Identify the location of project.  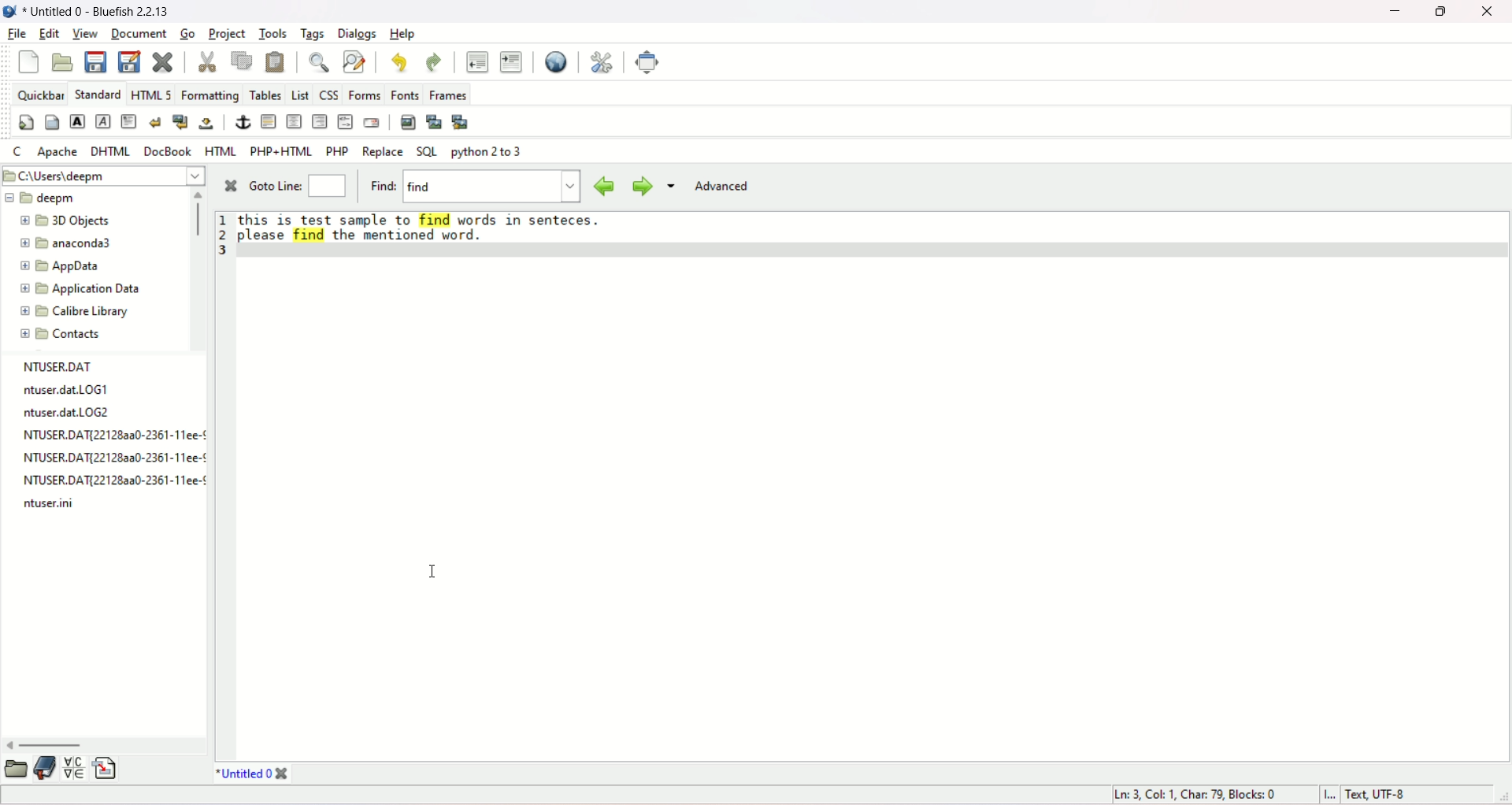
(226, 33).